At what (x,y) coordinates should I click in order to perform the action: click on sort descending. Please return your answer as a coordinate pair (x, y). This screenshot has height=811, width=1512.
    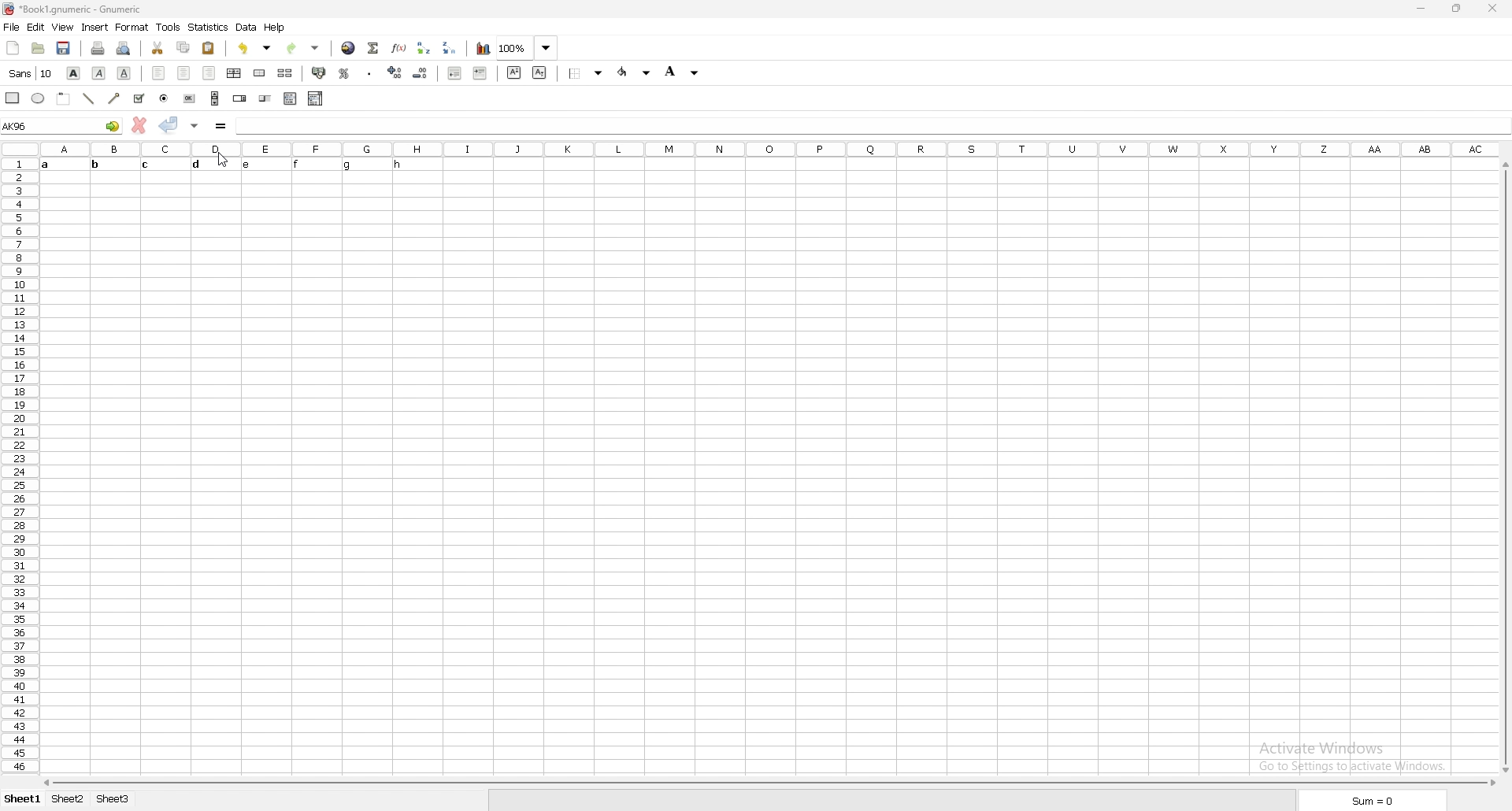
    Looking at the image, I should click on (450, 47).